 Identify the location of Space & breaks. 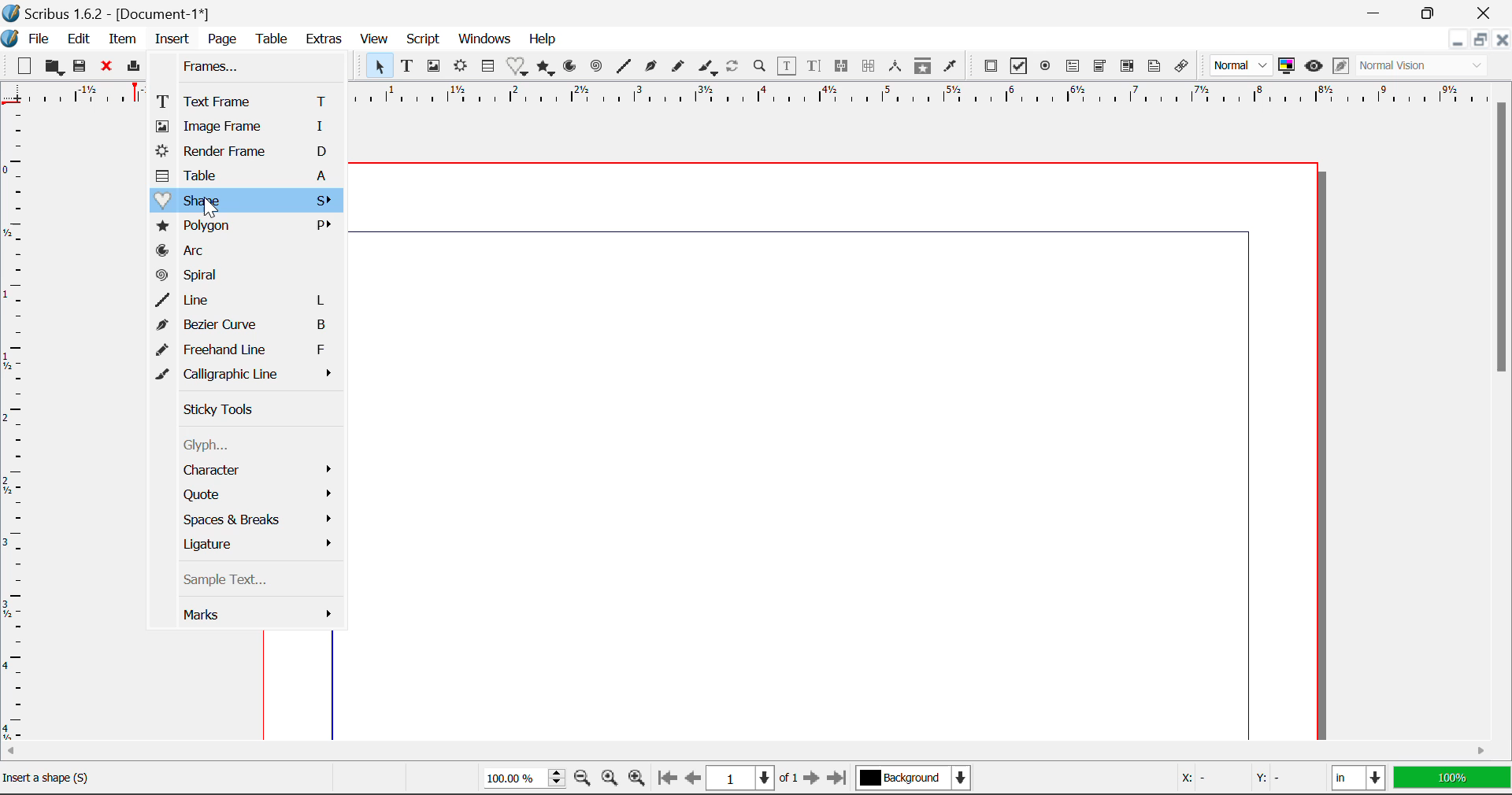
(252, 520).